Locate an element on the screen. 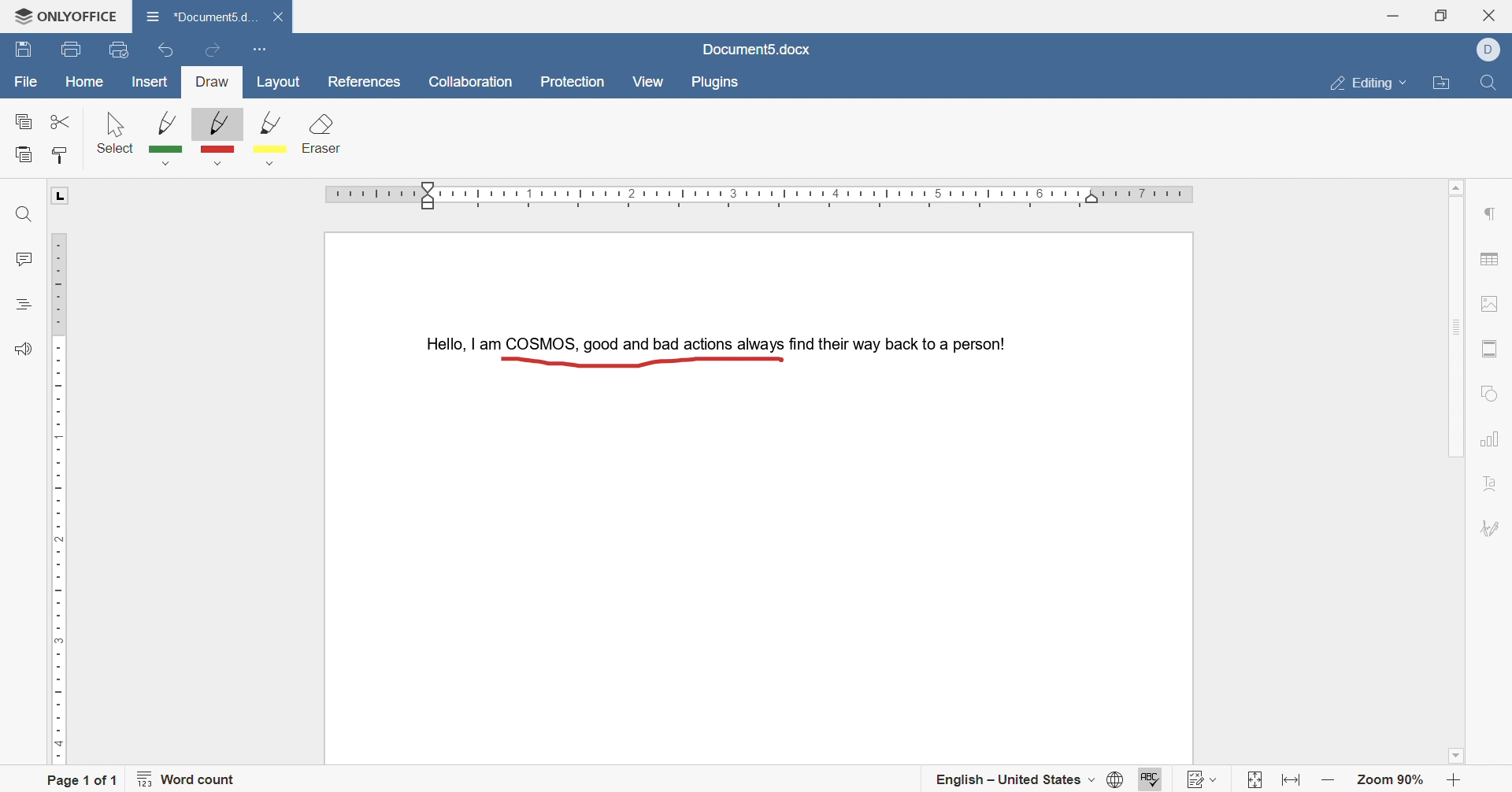 The height and width of the screenshot is (792, 1512). quick print is located at coordinates (121, 49).